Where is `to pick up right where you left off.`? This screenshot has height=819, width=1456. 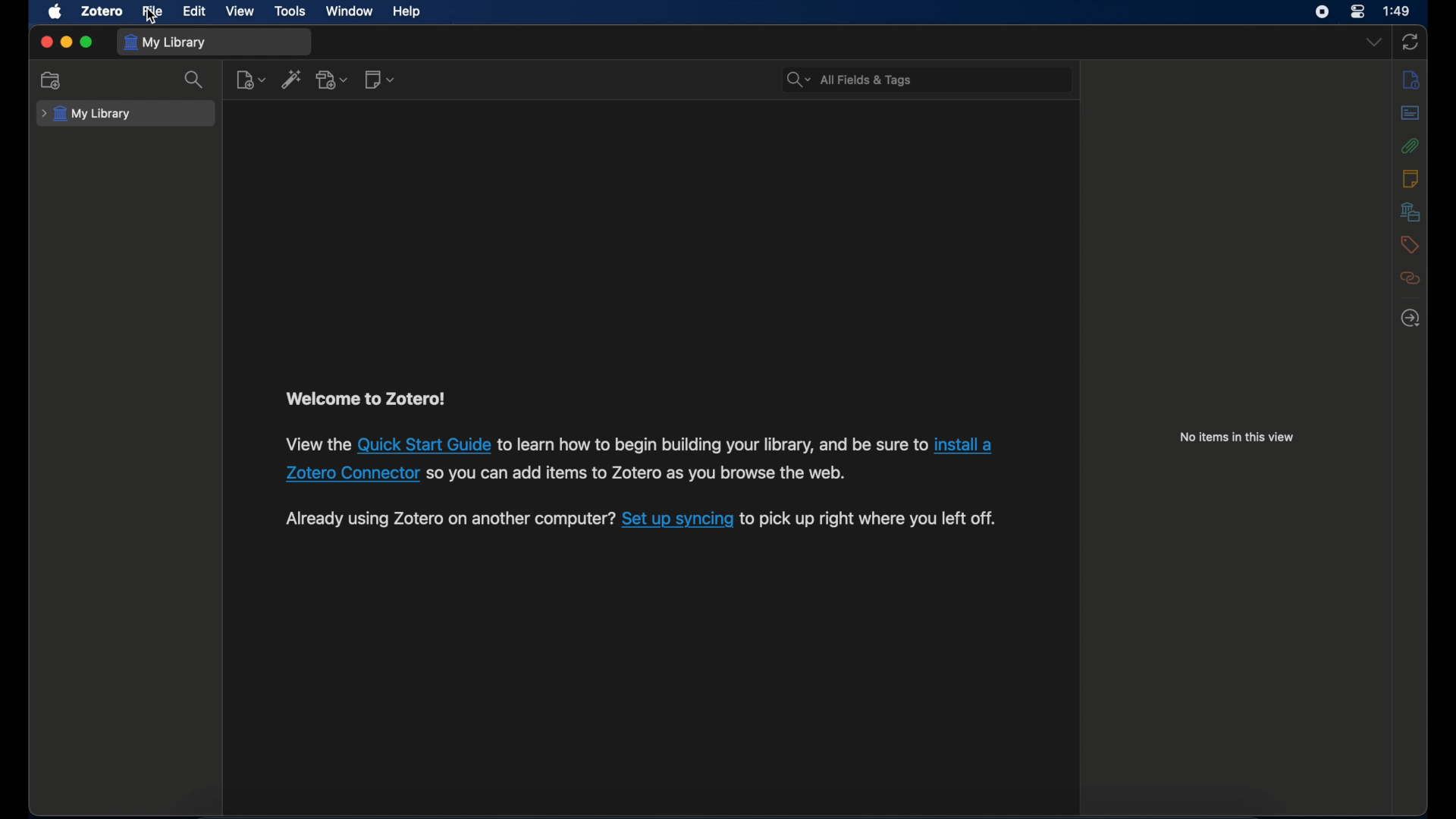
to pick up right where you left off. is located at coordinates (871, 519).